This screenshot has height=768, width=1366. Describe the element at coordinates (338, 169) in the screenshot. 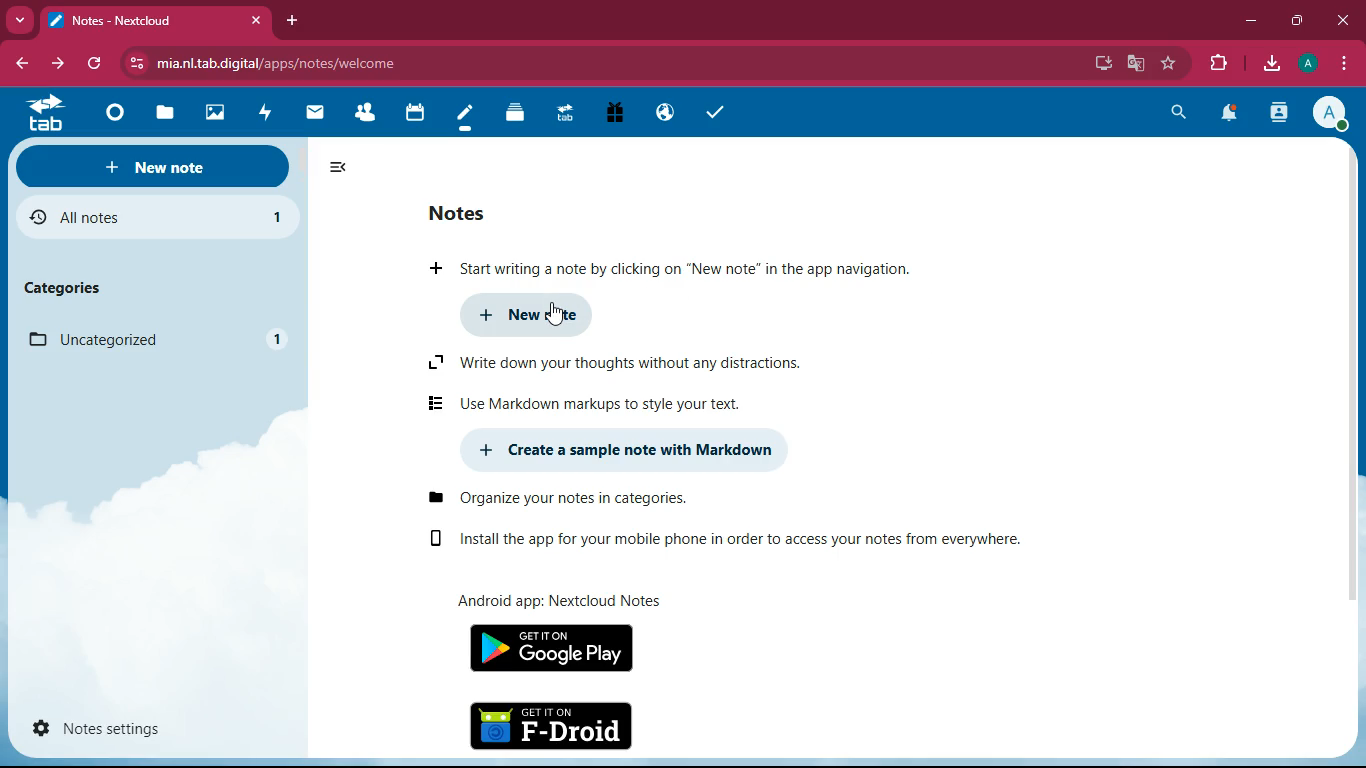

I see `minimize` at that location.